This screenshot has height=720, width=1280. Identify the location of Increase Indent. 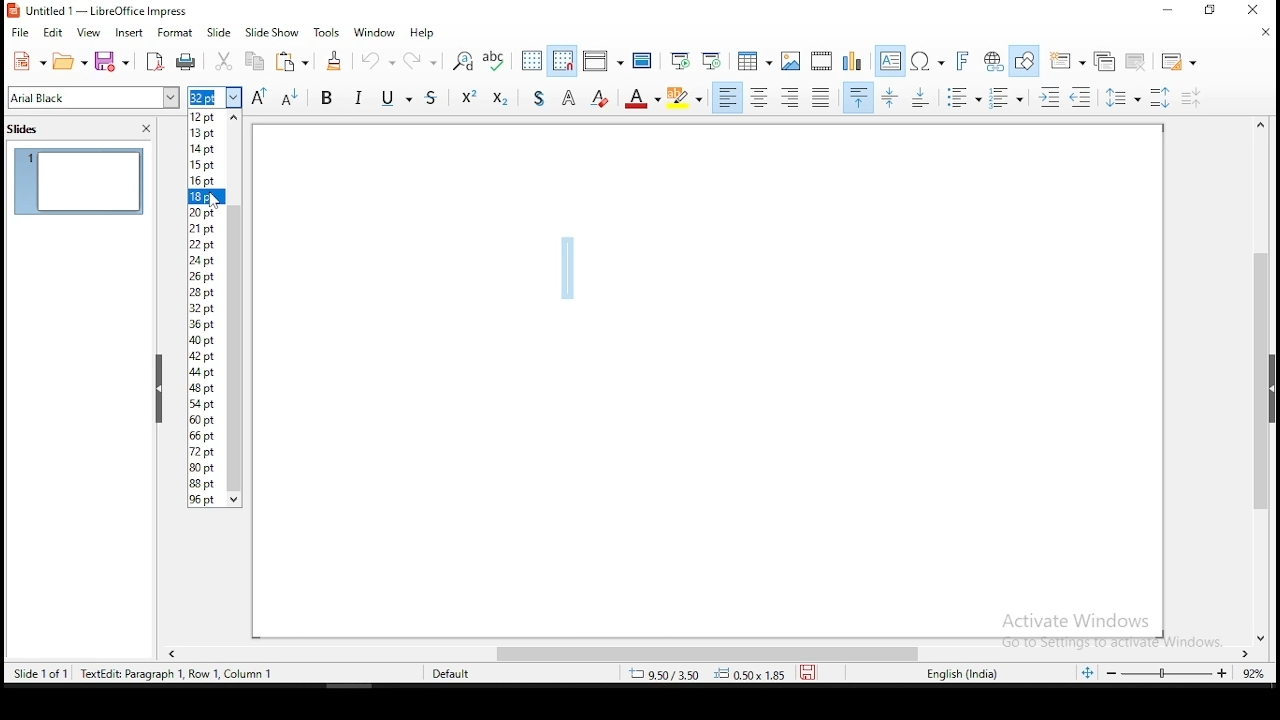
(1049, 98).